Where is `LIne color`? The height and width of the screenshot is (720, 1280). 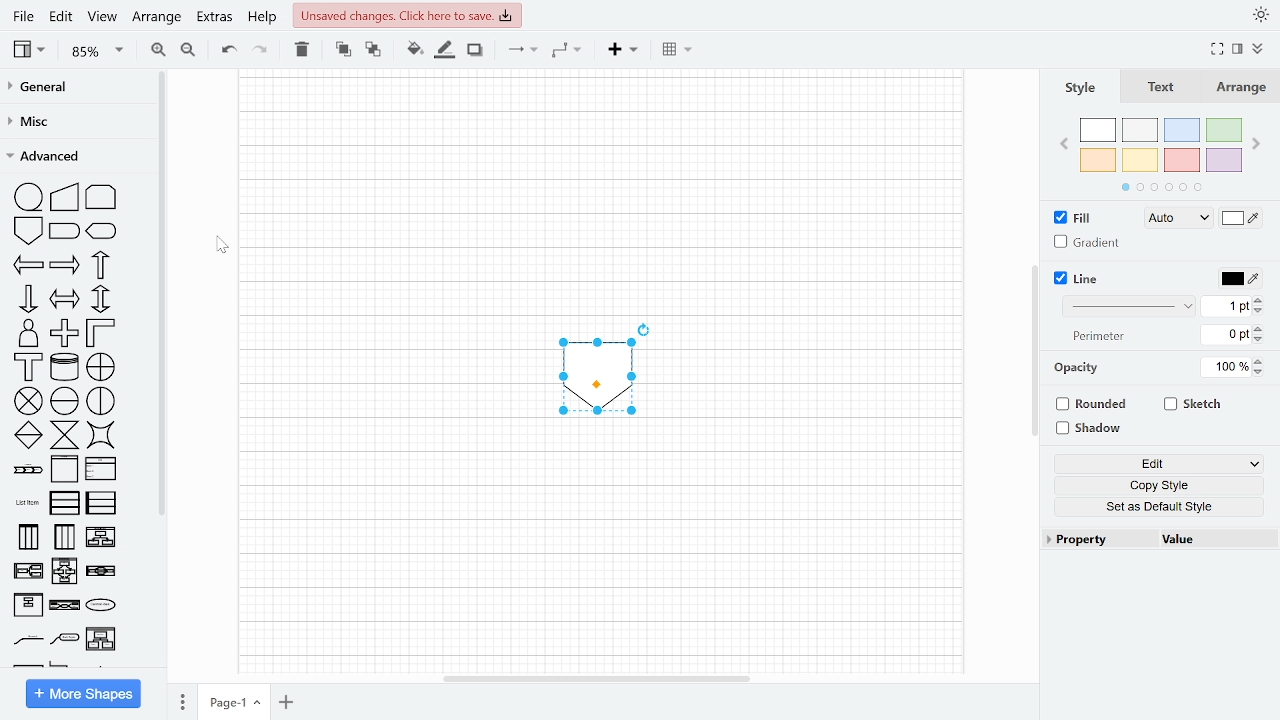
LIne color is located at coordinates (1238, 278).